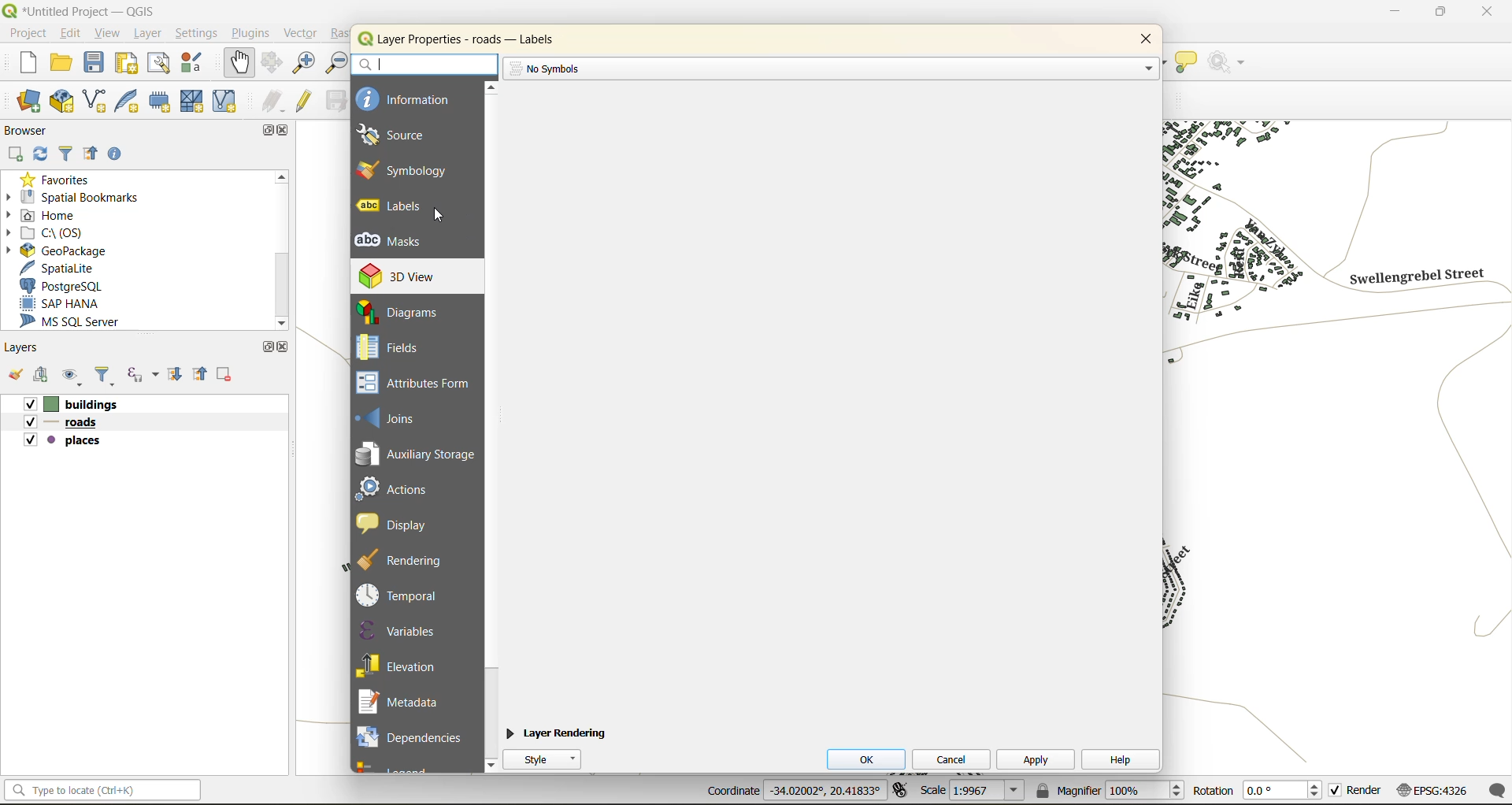 The height and width of the screenshot is (805, 1512). Describe the element at coordinates (28, 133) in the screenshot. I see `browser` at that location.